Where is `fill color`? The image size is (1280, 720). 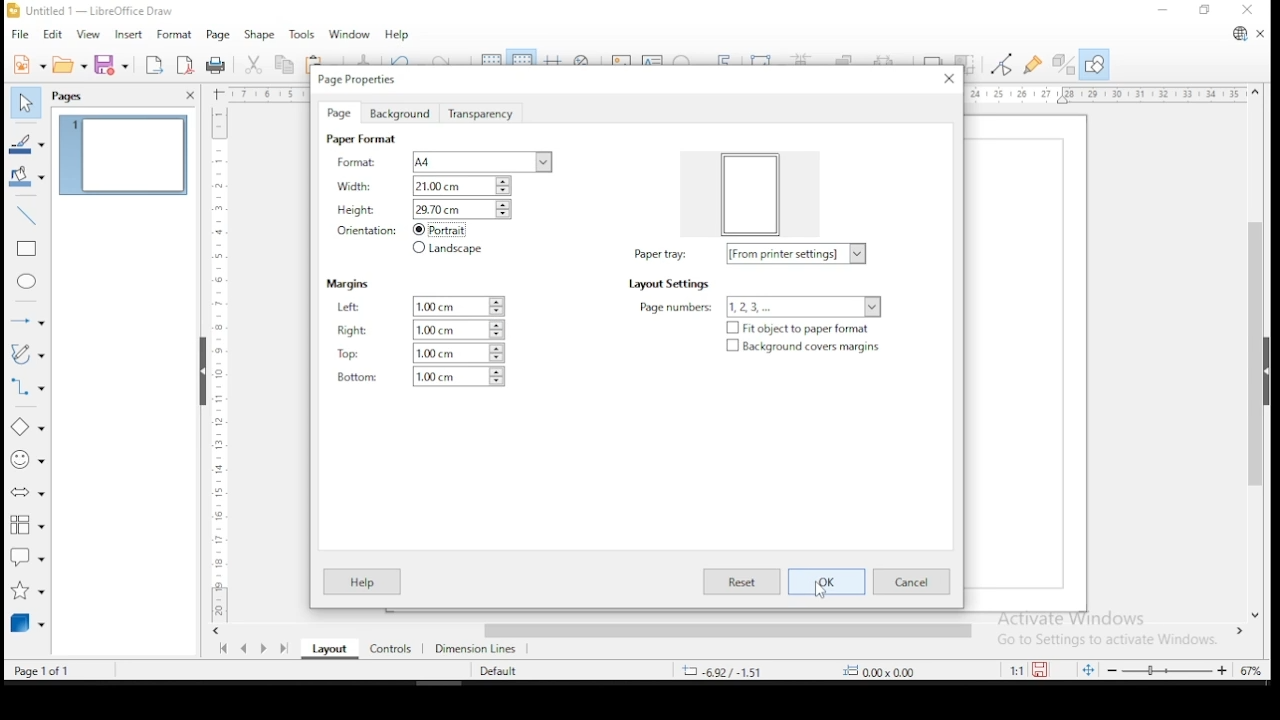
fill color is located at coordinates (27, 177).